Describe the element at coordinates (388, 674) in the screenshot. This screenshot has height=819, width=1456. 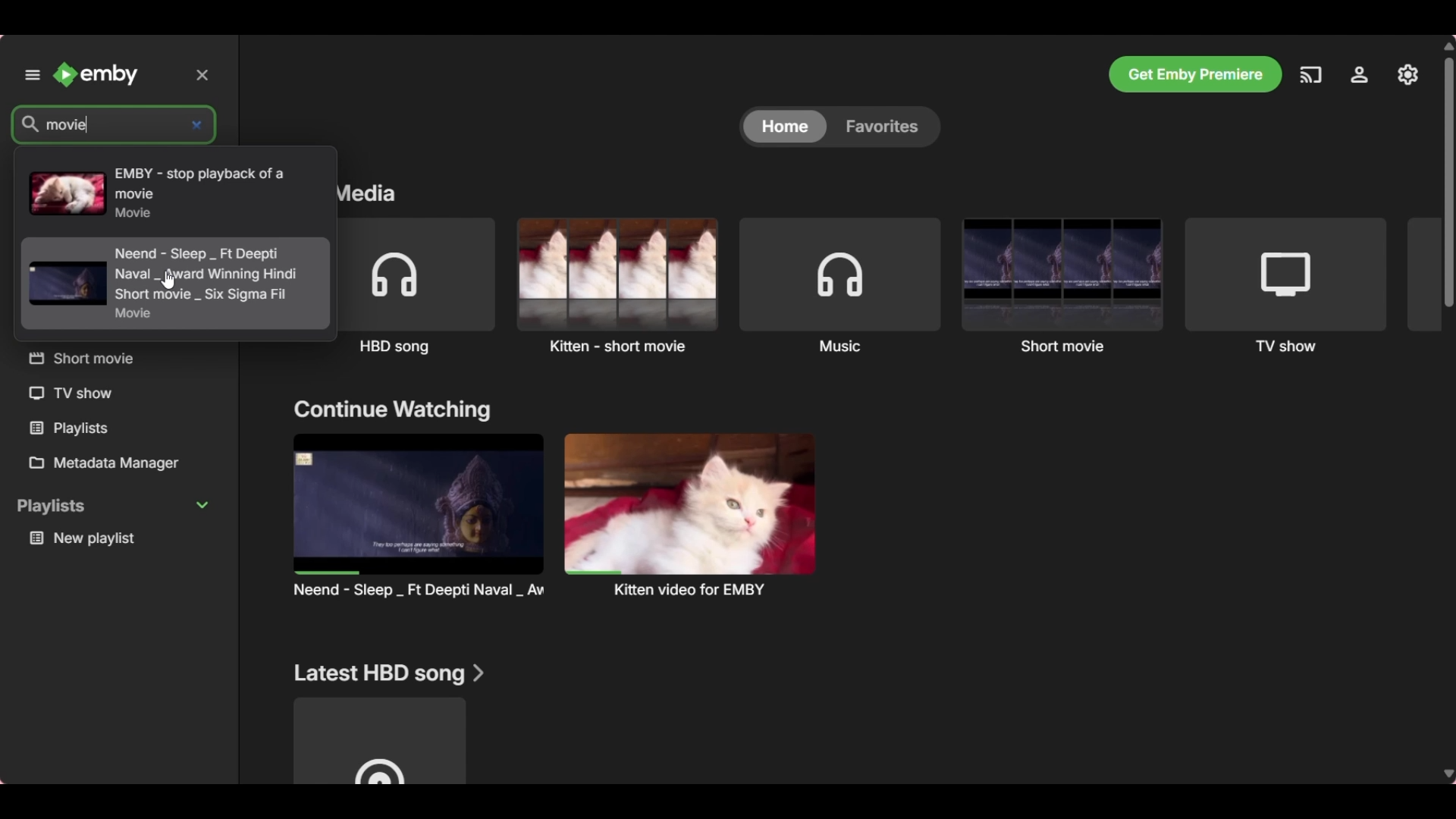
I see `Section title` at that location.